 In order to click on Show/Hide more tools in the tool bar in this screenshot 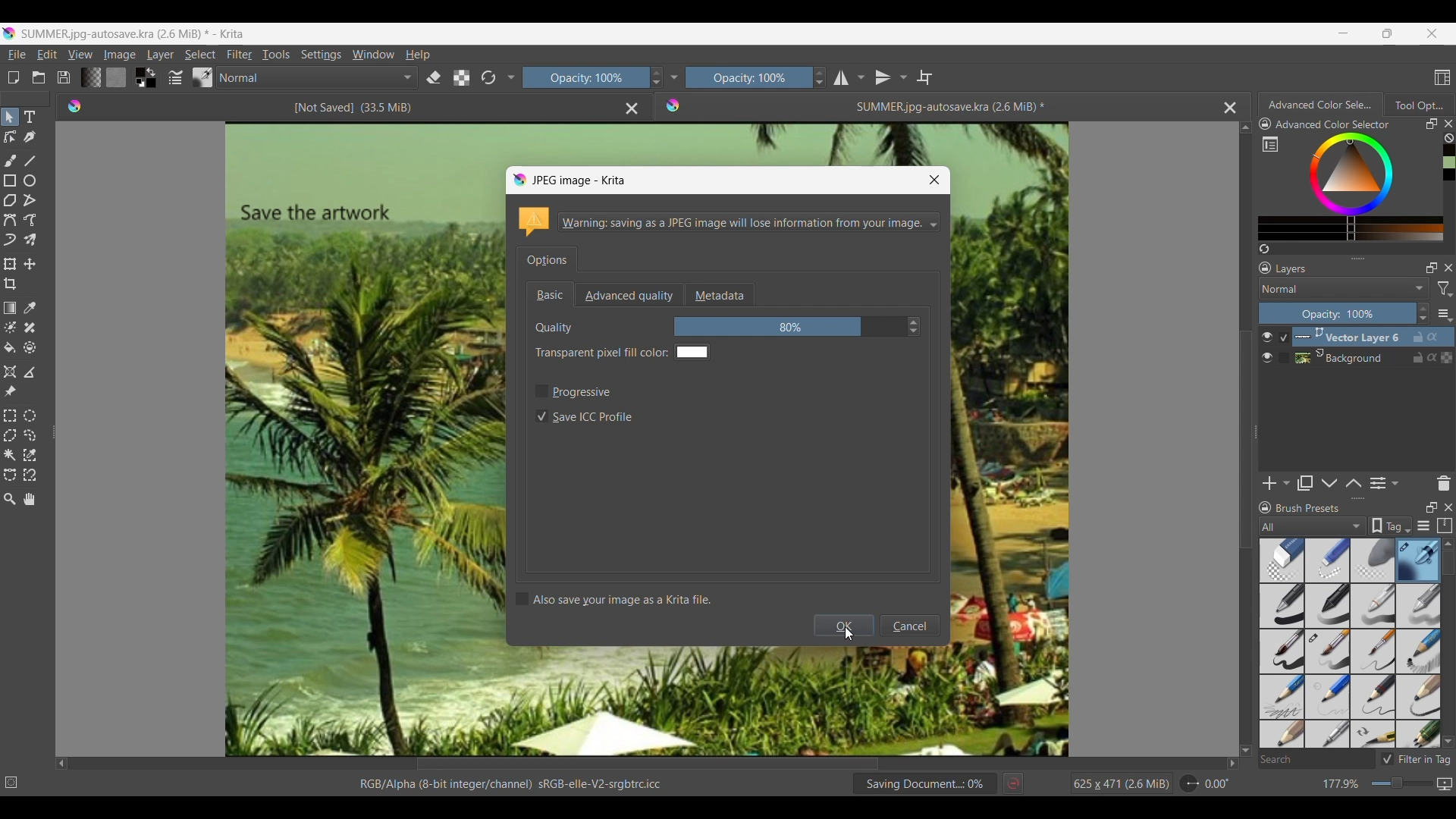, I will do `click(673, 78)`.